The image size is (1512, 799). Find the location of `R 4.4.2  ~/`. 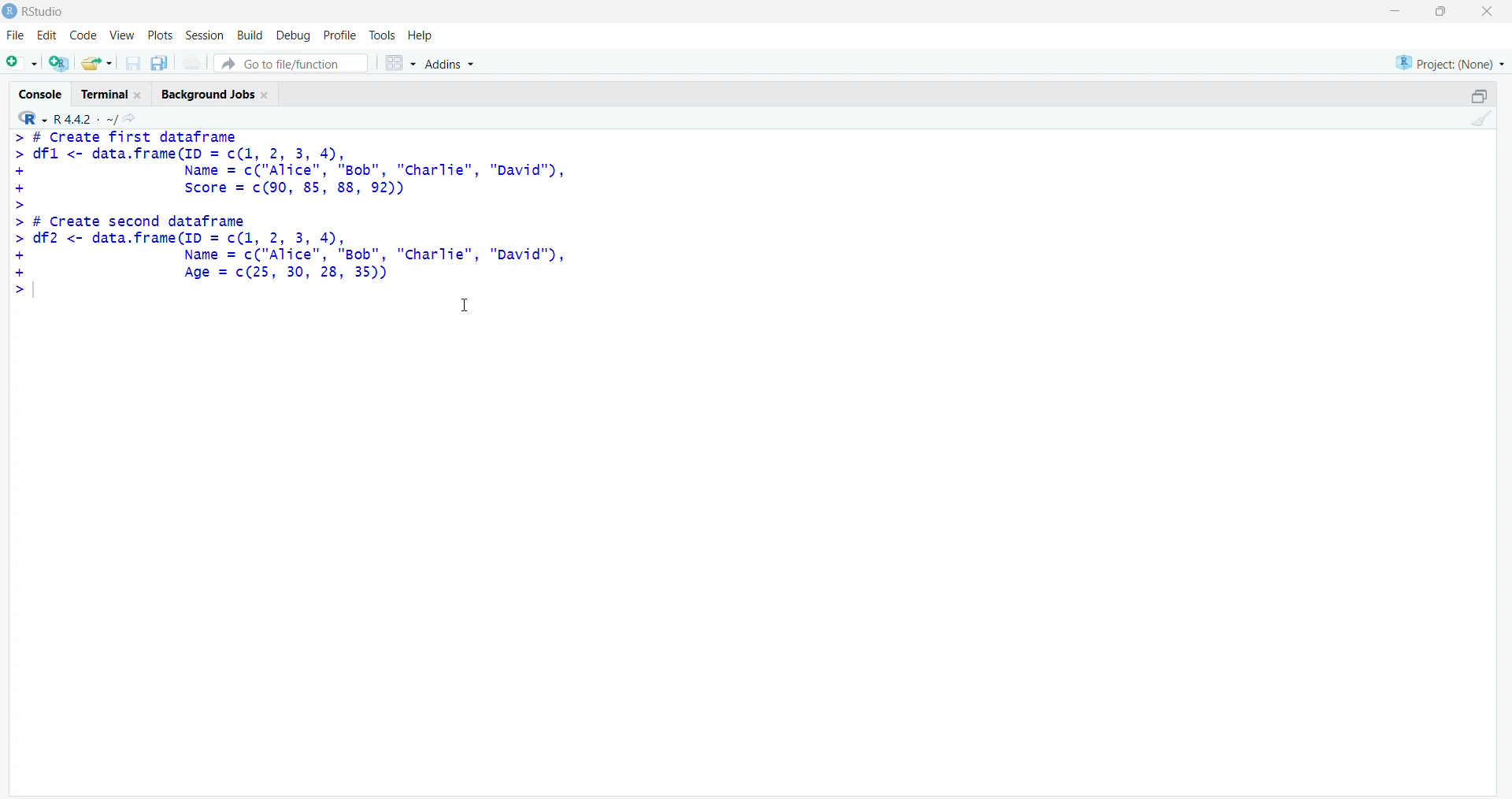

R 4.4.2  ~/ is located at coordinates (85, 119).